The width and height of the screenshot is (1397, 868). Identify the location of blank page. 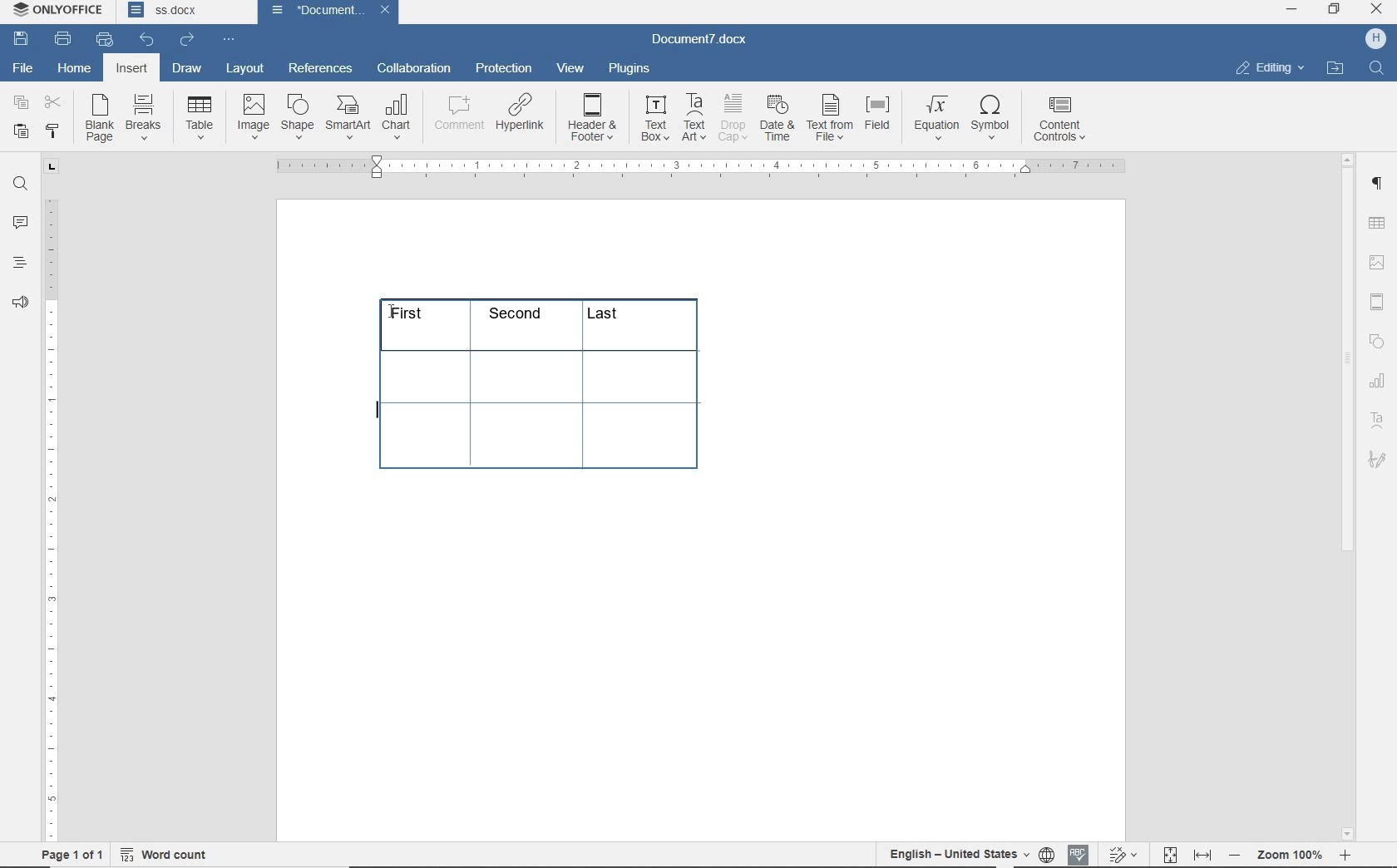
(100, 121).